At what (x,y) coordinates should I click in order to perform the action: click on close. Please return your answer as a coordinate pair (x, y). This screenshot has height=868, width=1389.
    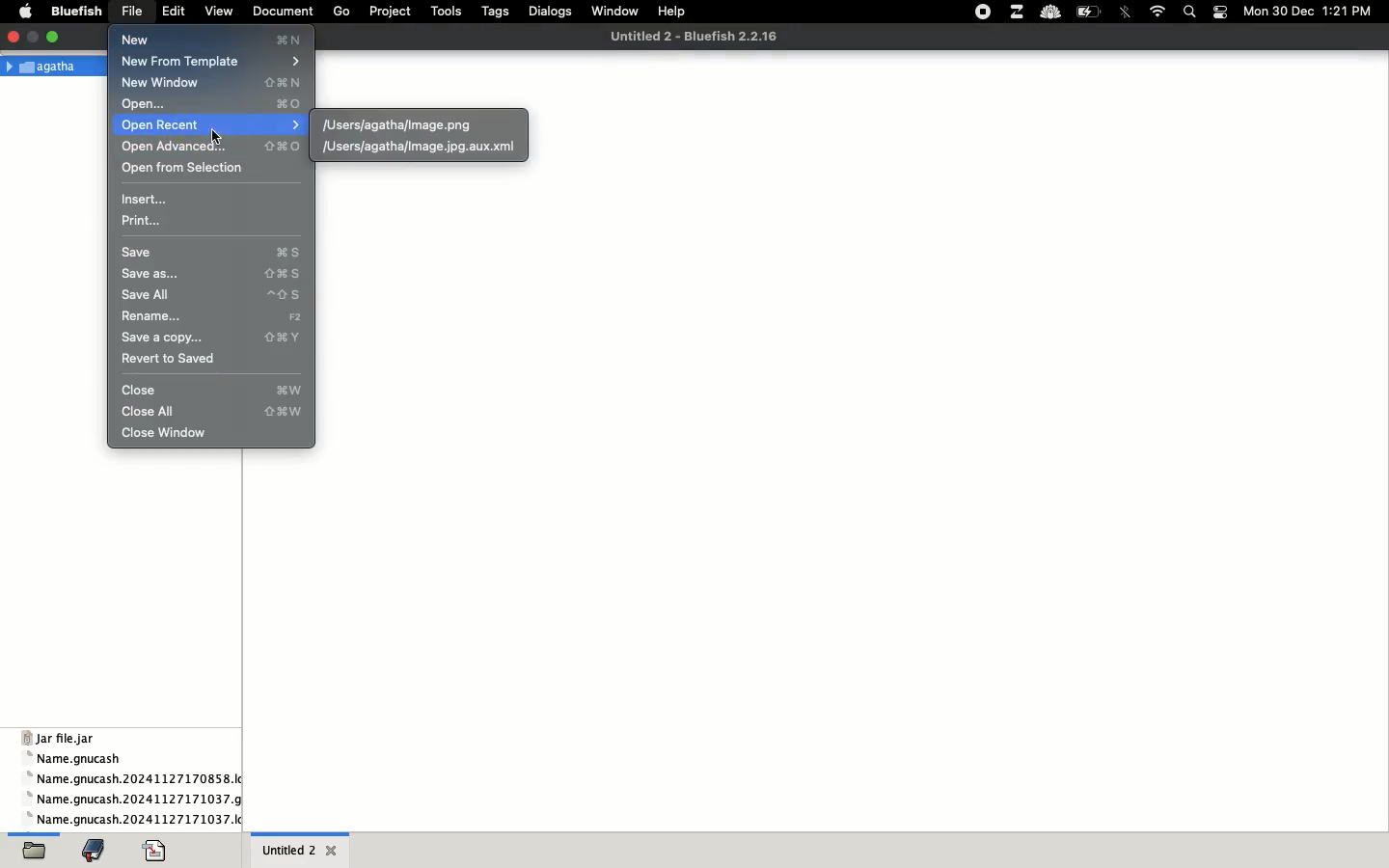
    Looking at the image, I should click on (212, 391).